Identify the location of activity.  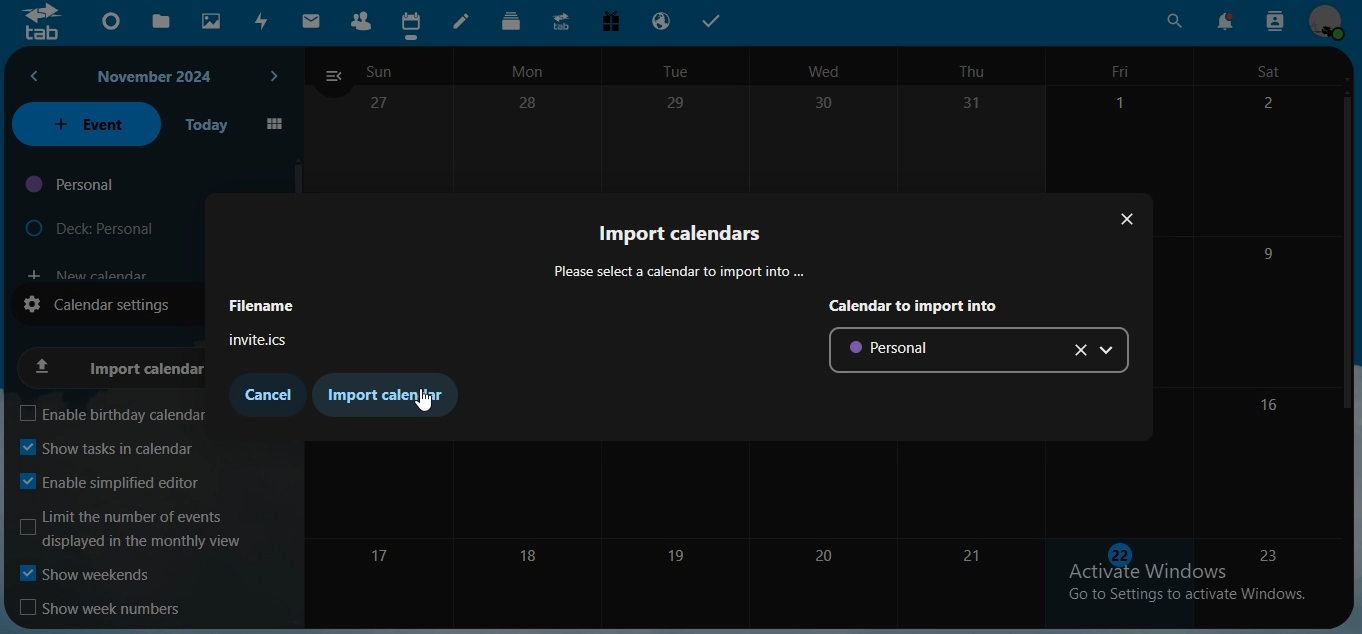
(264, 24).